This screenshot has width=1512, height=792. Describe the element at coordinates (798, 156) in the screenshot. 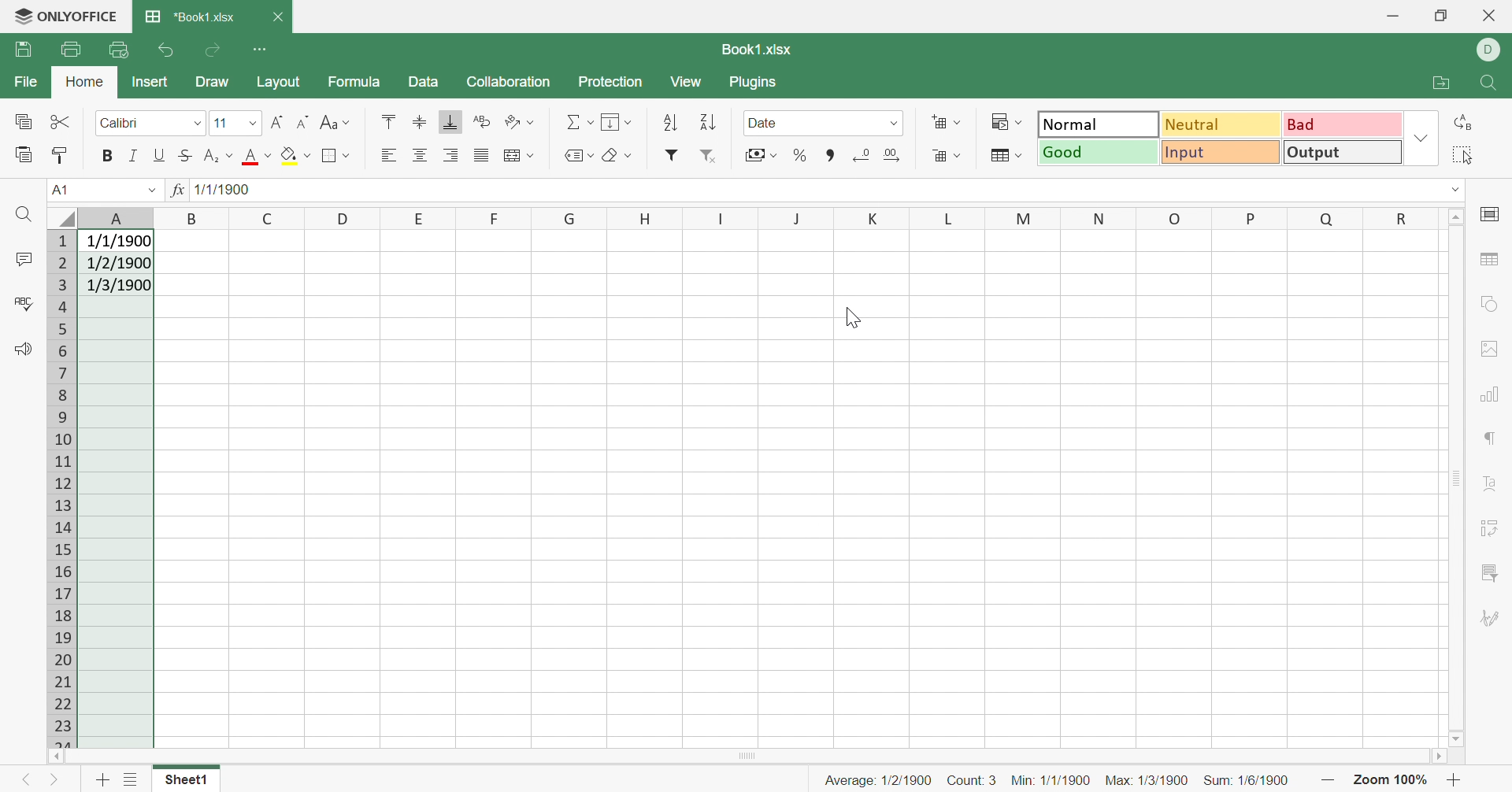

I see `Percent style` at that location.